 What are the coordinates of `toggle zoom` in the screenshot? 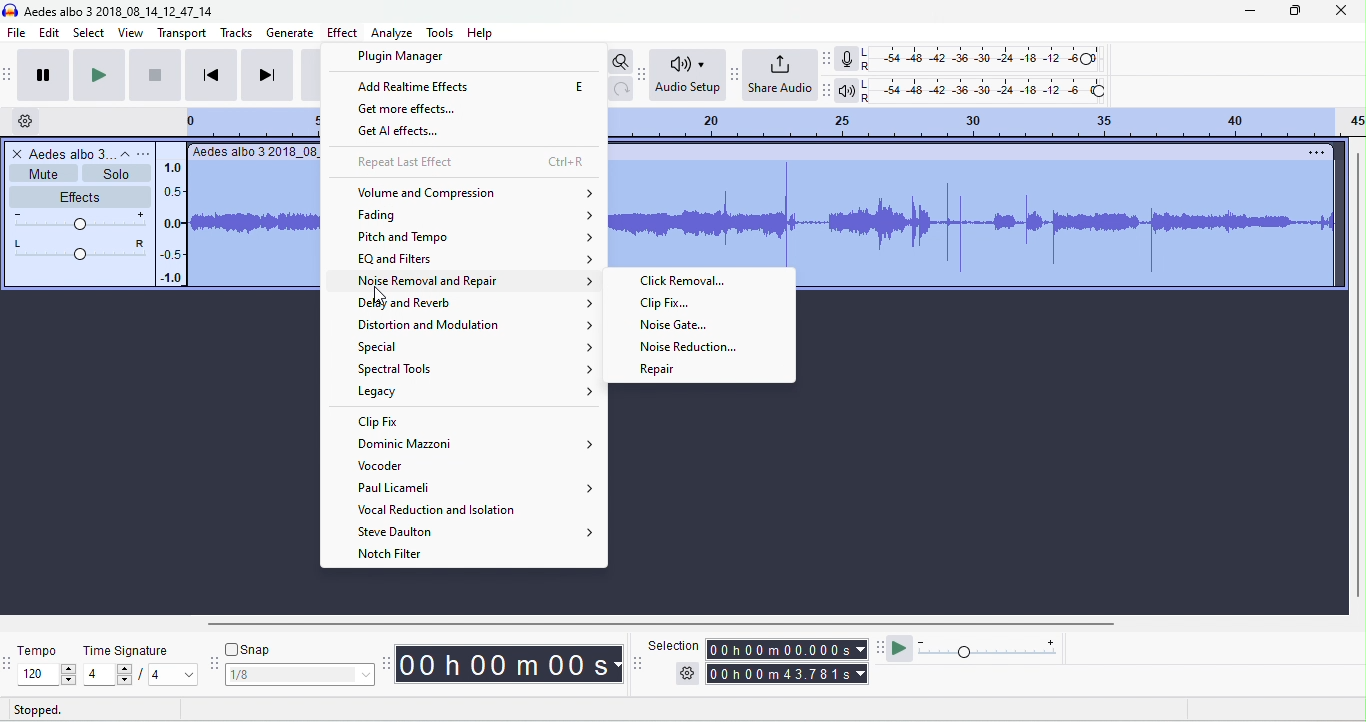 It's located at (621, 62).